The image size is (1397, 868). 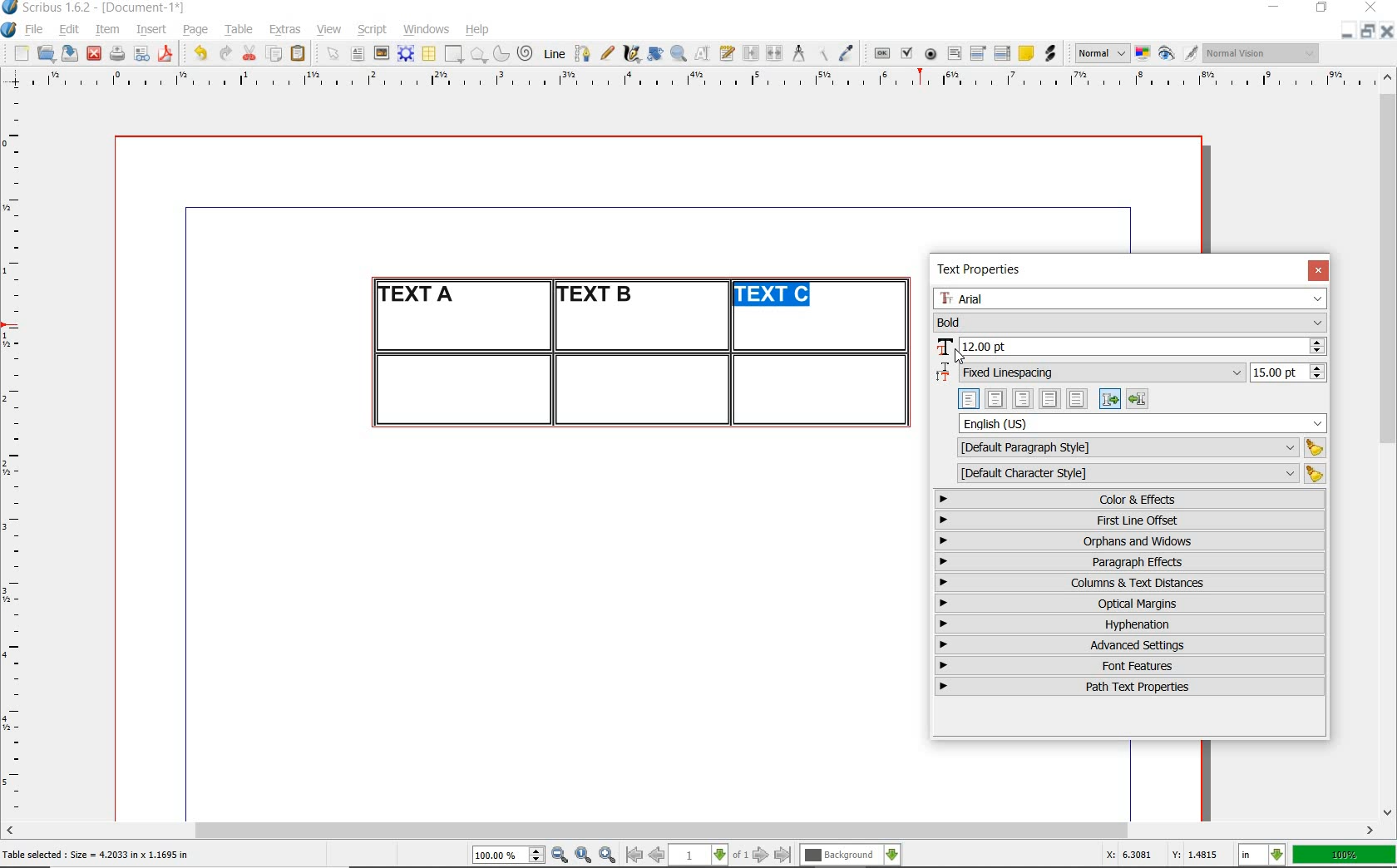 What do you see at coordinates (703, 52) in the screenshot?
I see `edit contents of frame` at bounding box center [703, 52].